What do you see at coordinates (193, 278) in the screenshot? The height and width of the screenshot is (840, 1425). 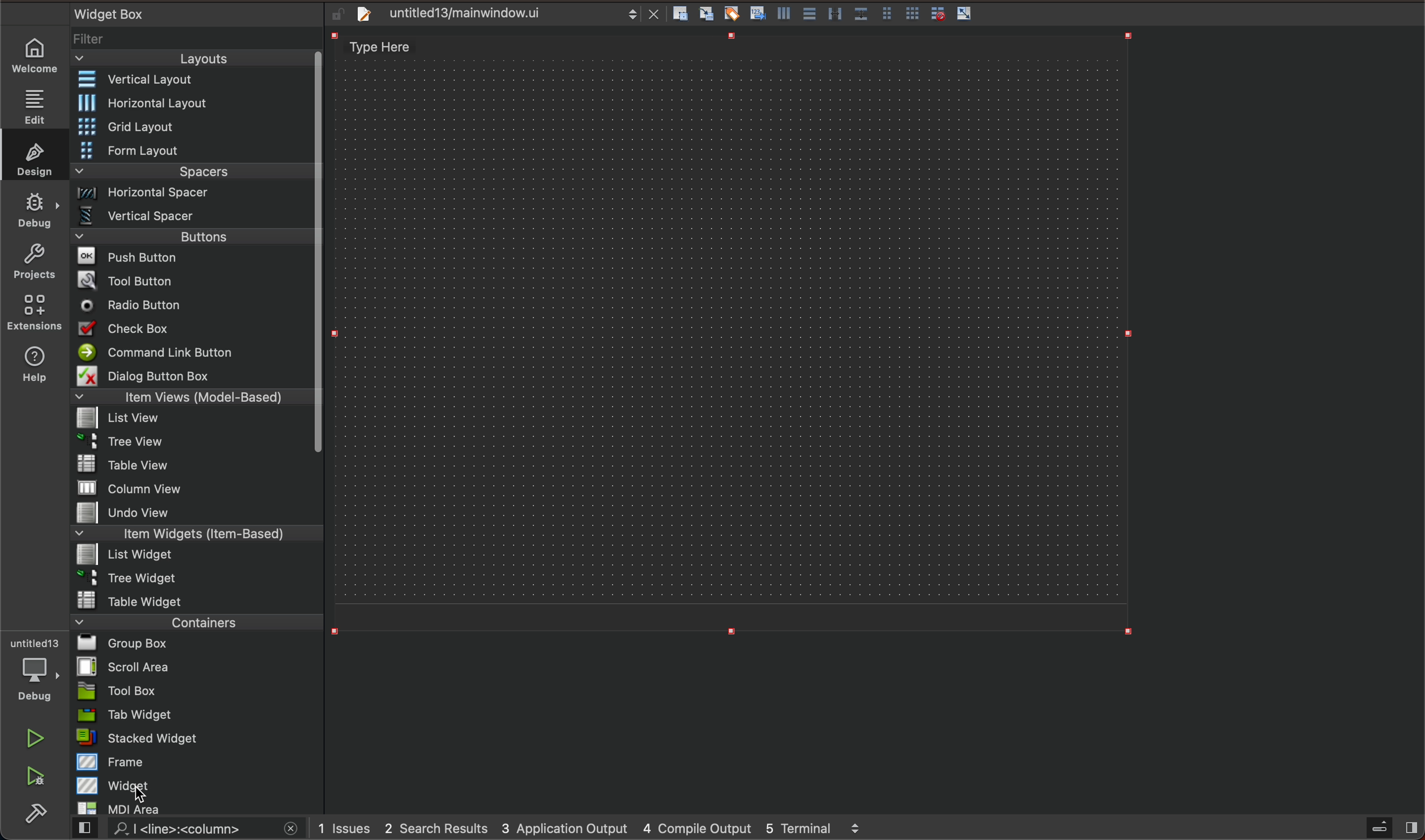 I see `tool button` at bounding box center [193, 278].